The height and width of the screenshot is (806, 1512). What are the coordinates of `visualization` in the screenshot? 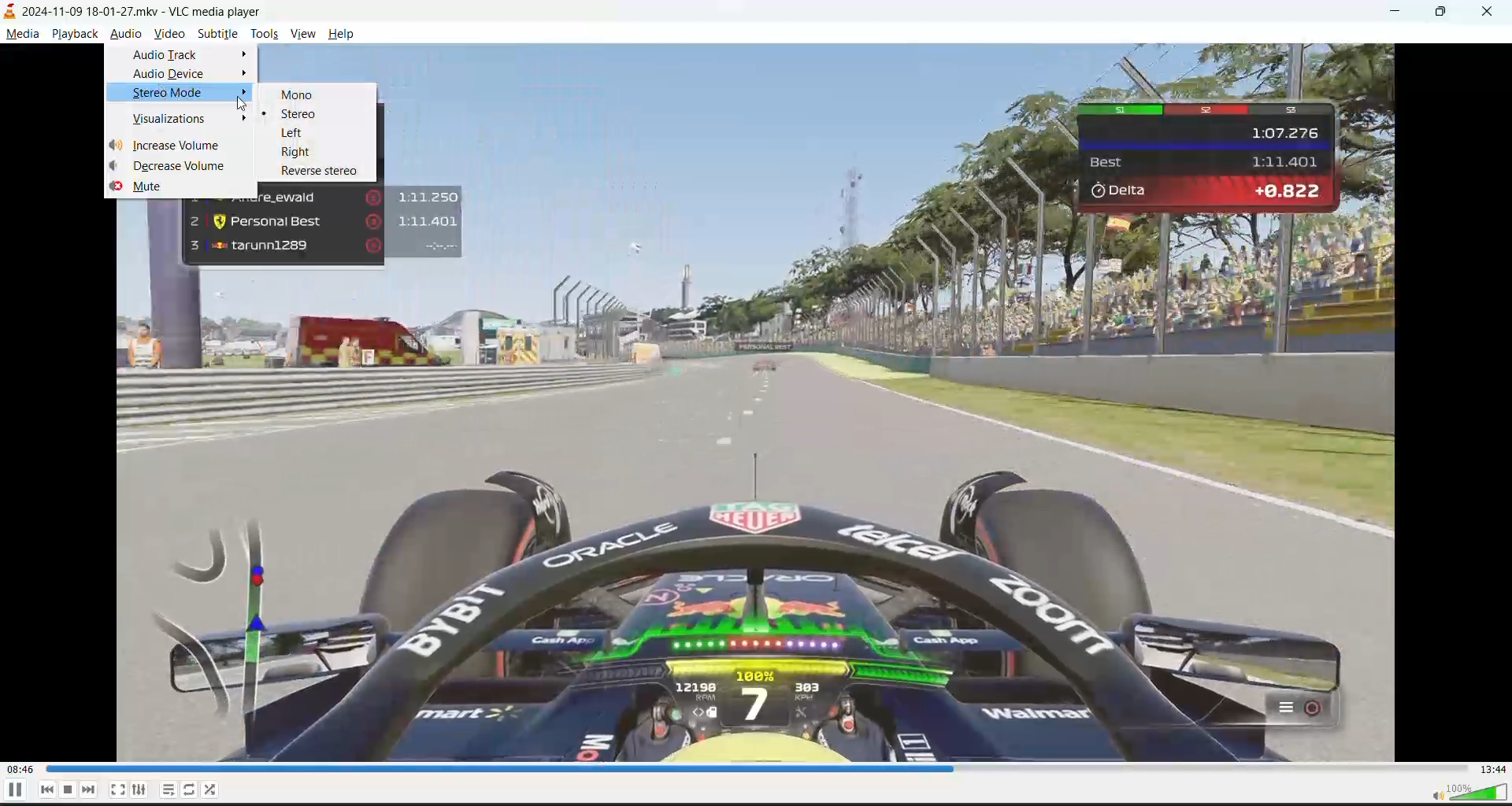 It's located at (177, 116).